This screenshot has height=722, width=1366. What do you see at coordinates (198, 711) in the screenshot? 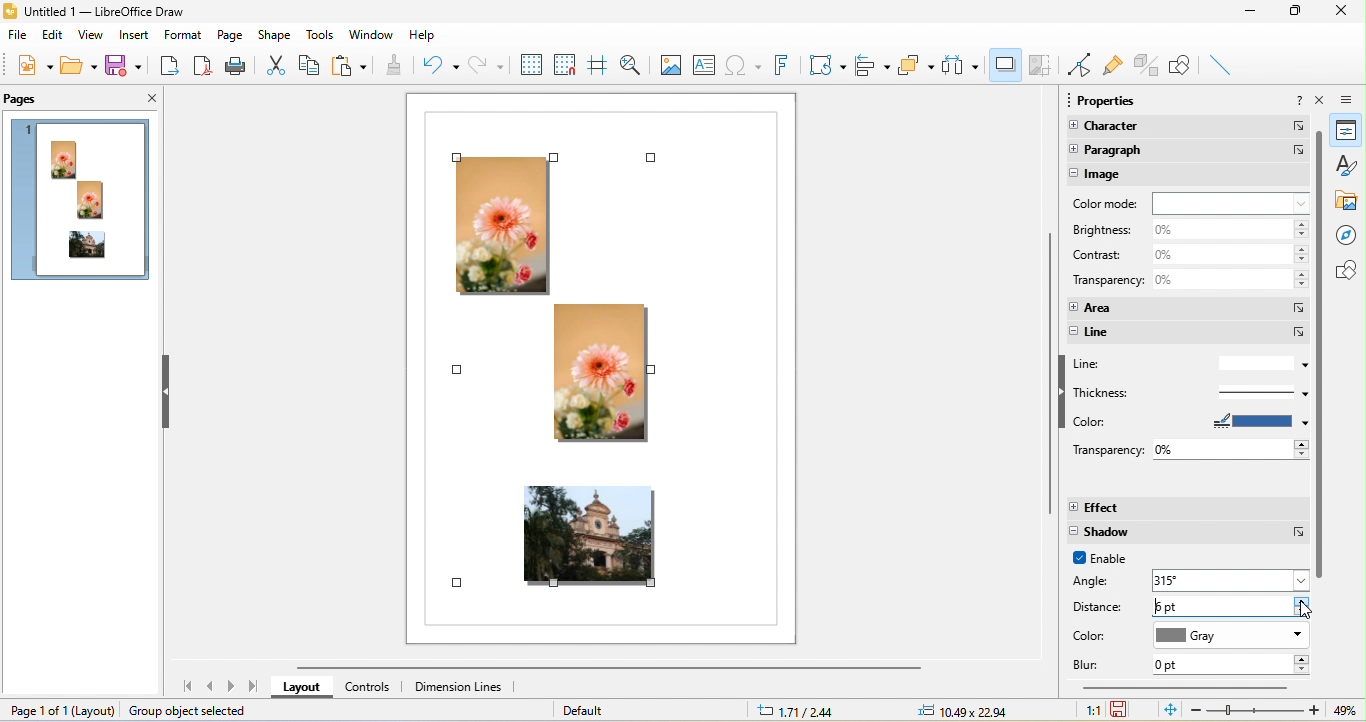
I see `group object selected` at bounding box center [198, 711].